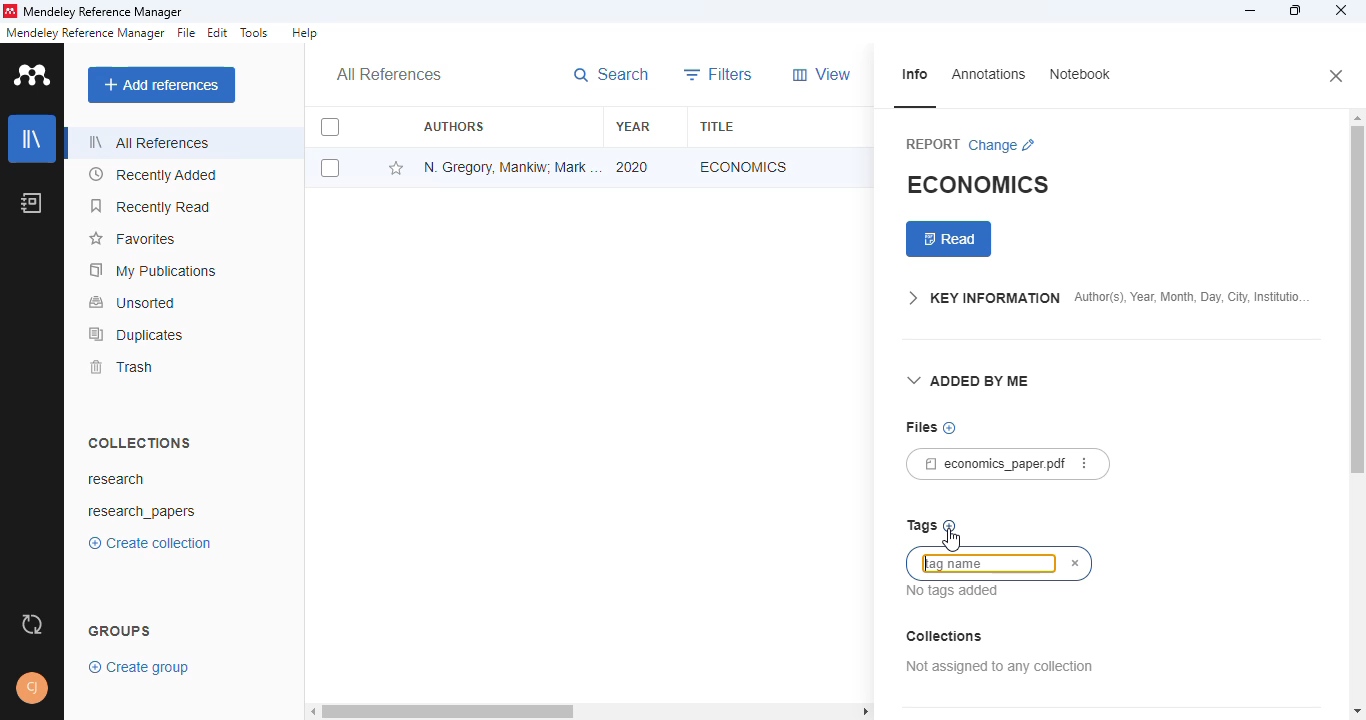 This screenshot has height=720, width=1366. I want to click on info, so click(914, 75).